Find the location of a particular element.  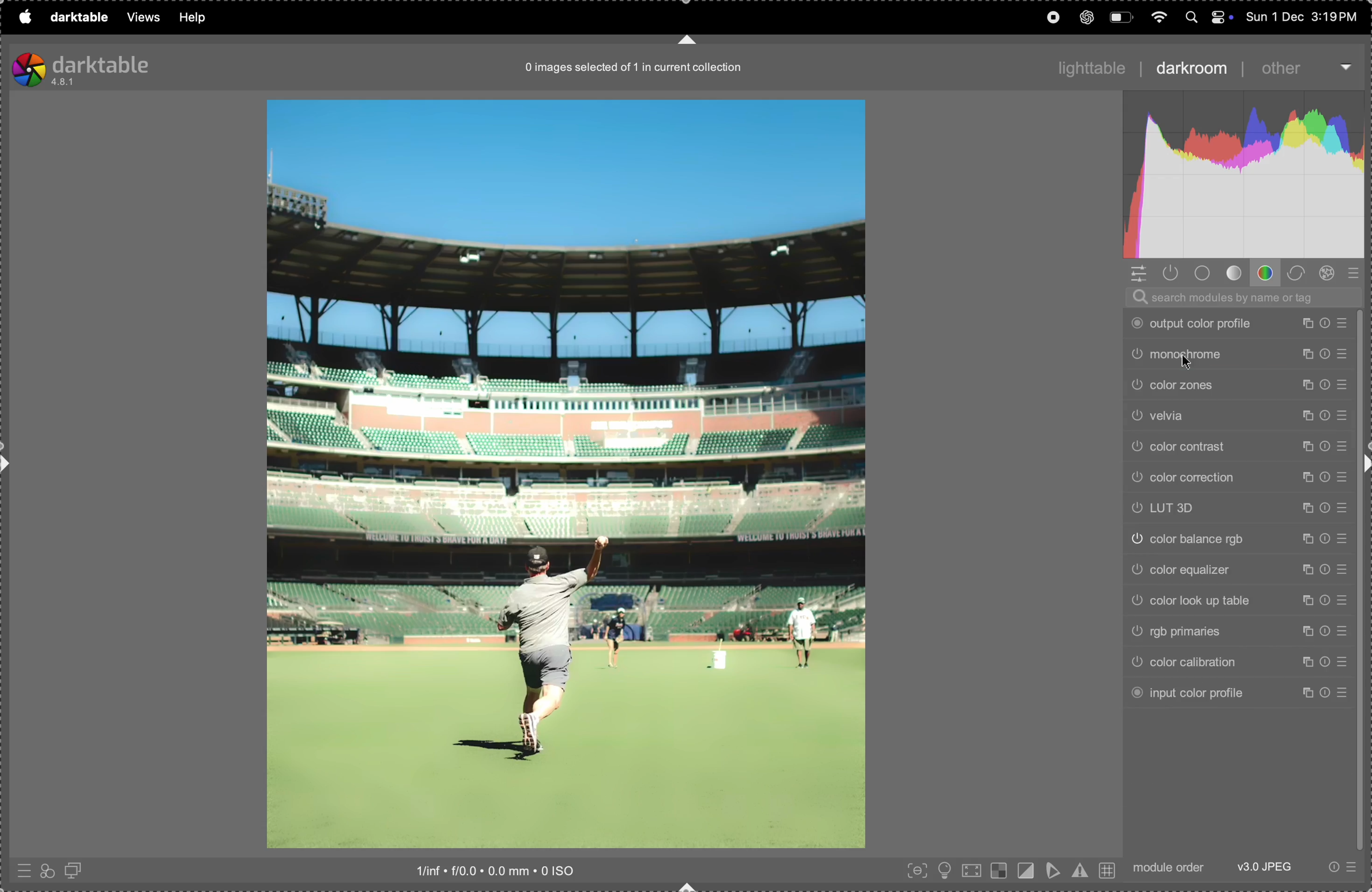

options is located at coordinates (1346, 65).